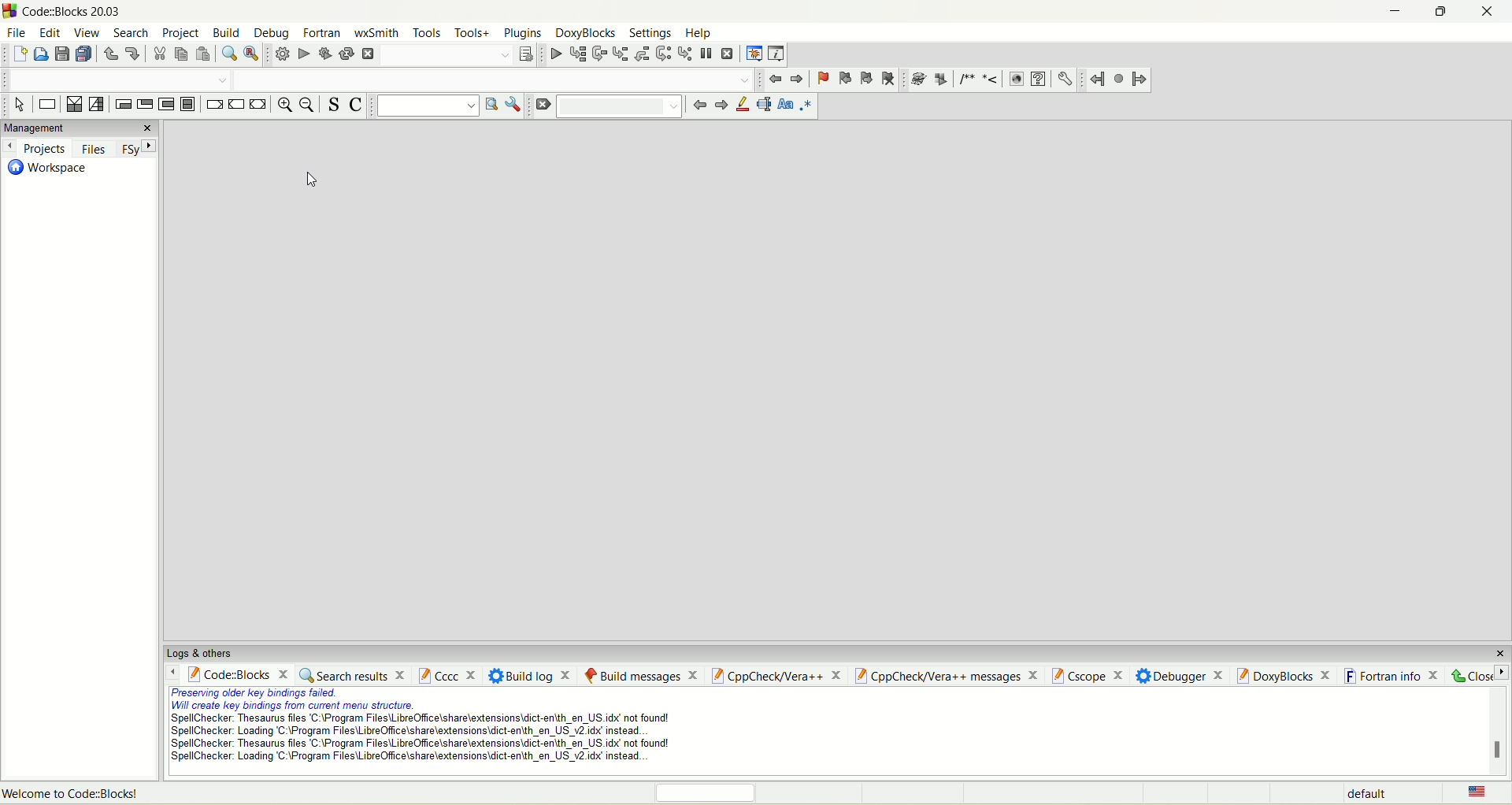  I want to click on regex, so click(806, 106).